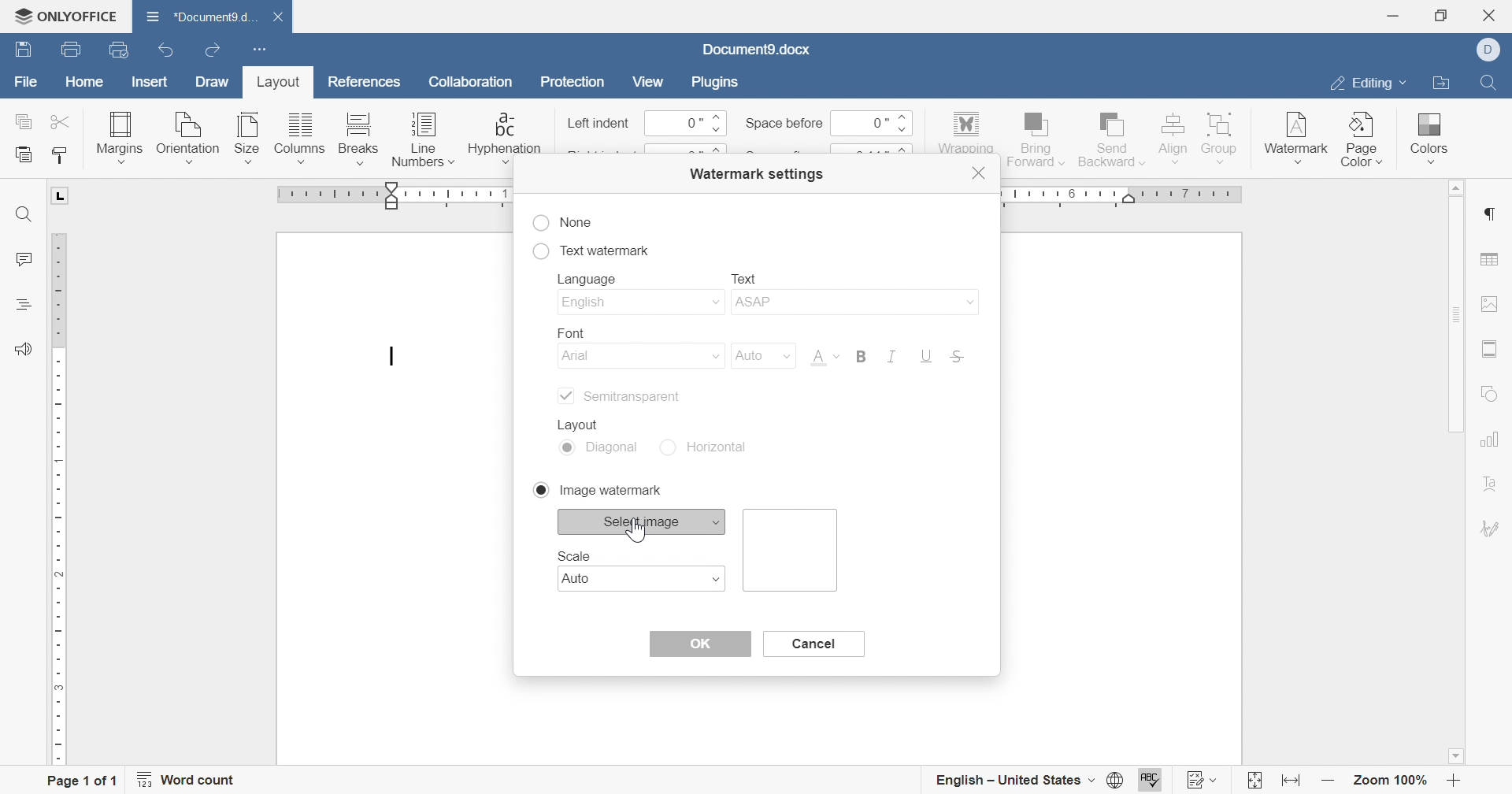  What do you see at coordinates (1172, 136) in the screenshot?
I see `align` at bounding box center [1172, 136].